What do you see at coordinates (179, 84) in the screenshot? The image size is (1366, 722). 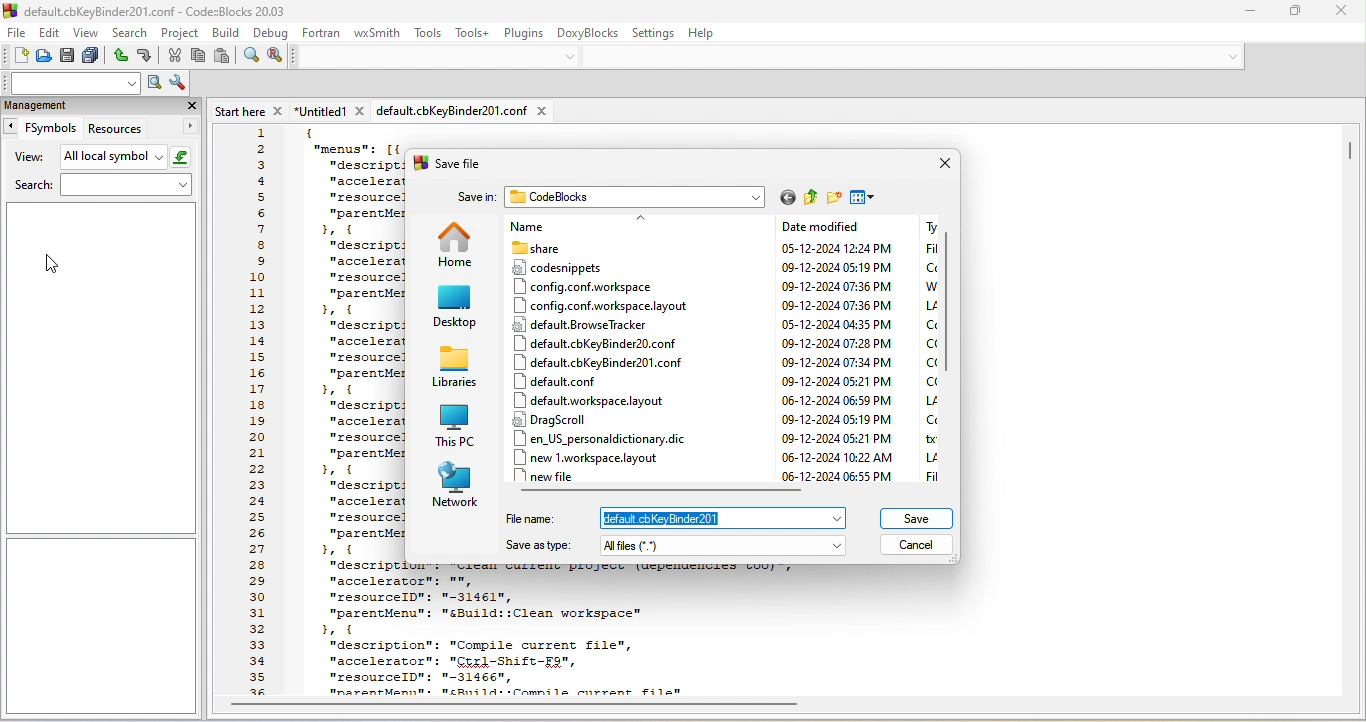 I see `show option window` at bounding box center [179, 84].